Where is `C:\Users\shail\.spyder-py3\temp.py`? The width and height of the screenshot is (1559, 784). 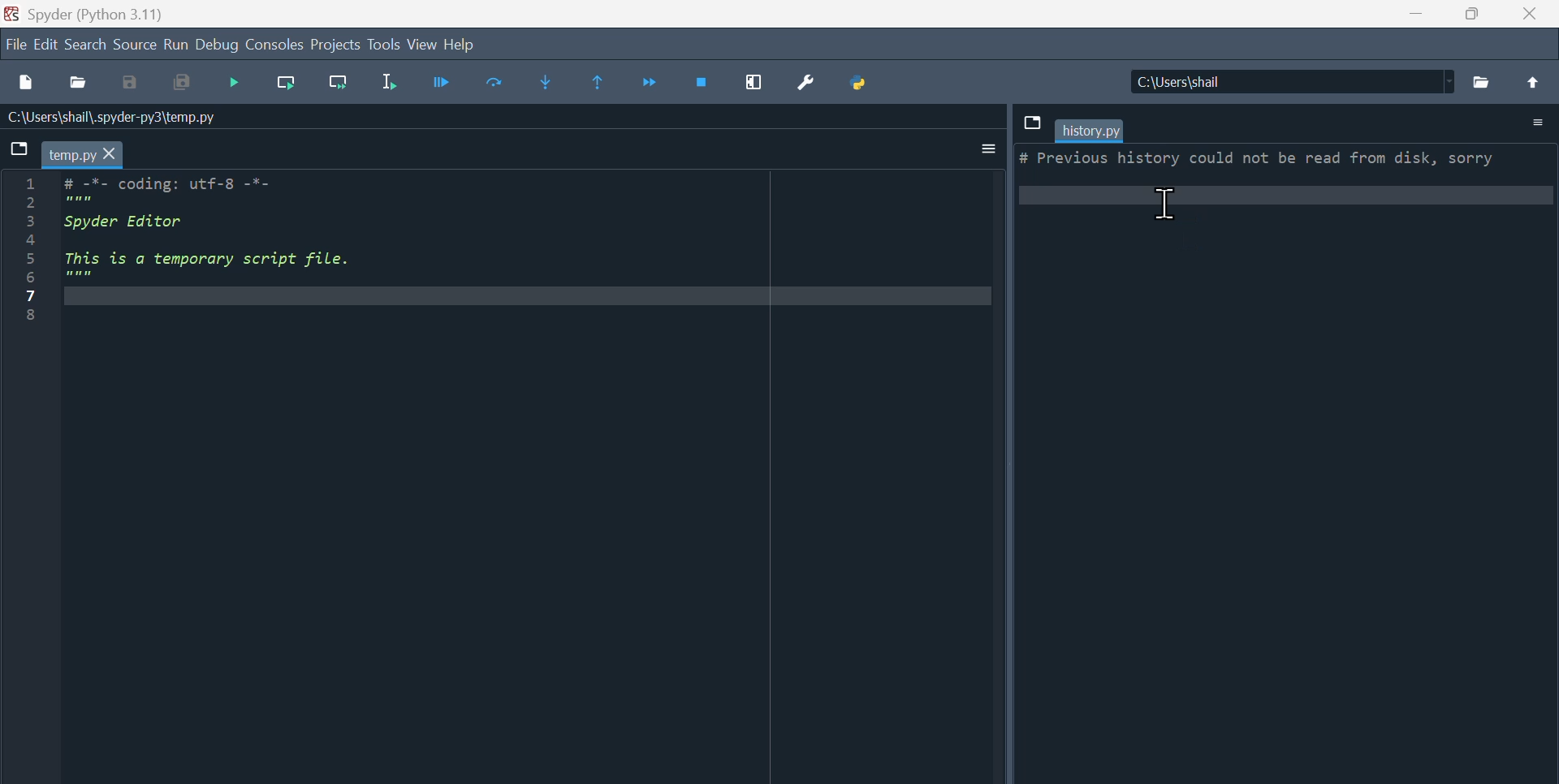
C:\Users\shail\.spyder-py3\temp.py is located at coordinates (119, 118).